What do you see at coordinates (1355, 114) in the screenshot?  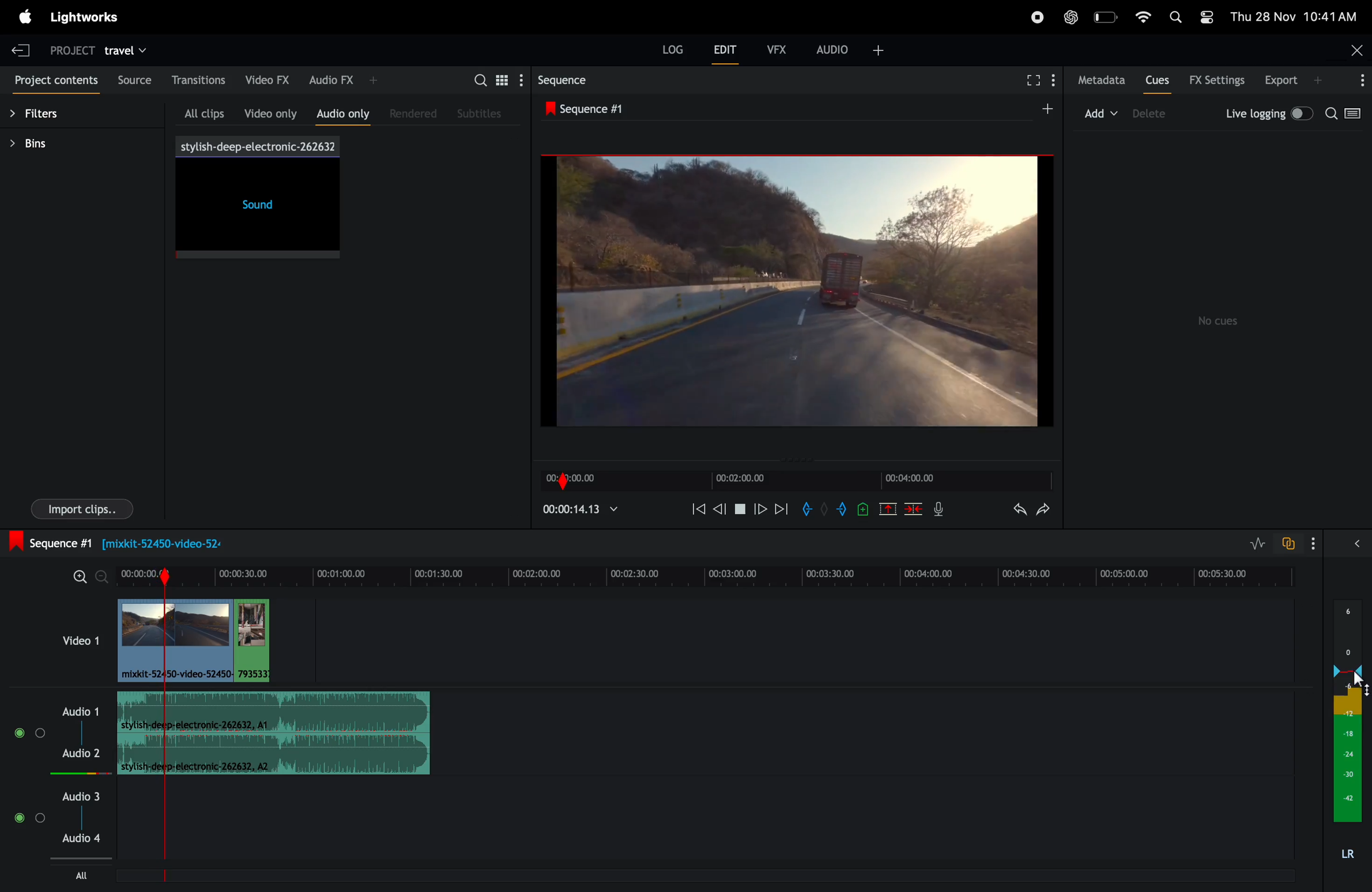 I see `toggle between log viewer` at bounding box center [1355, 114].